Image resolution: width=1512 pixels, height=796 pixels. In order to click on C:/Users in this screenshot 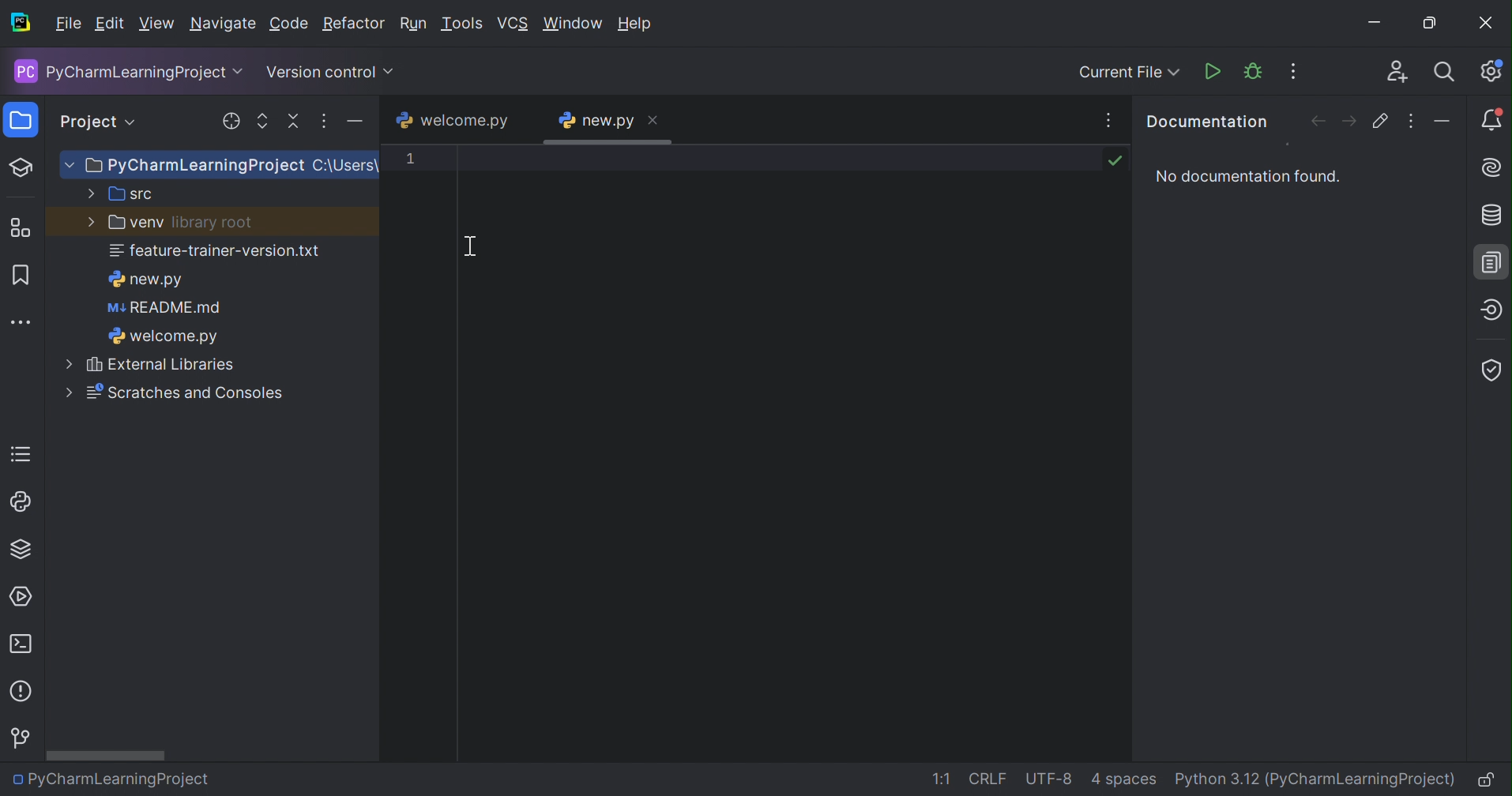, I will do `click(343, 166)`.